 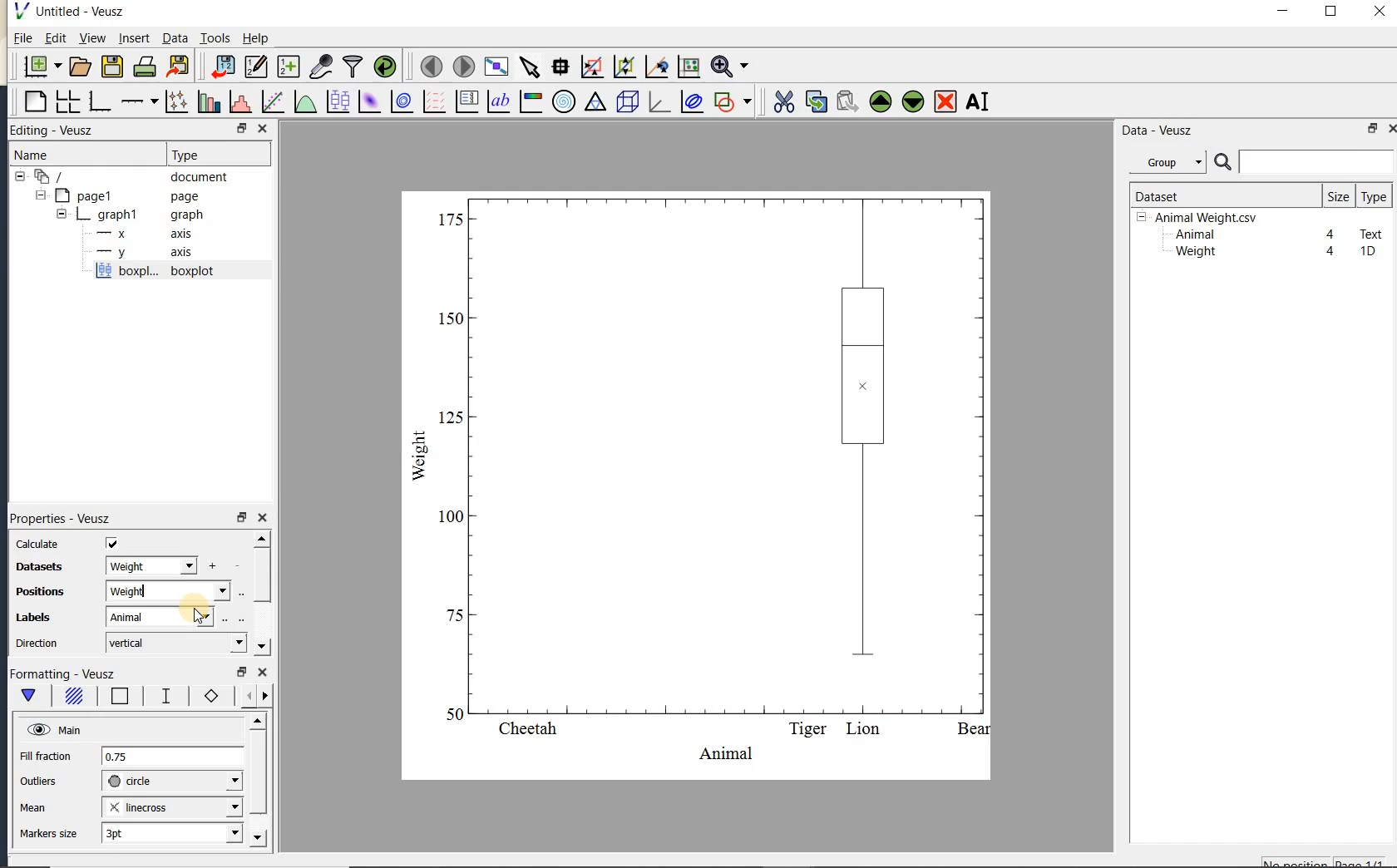 I want to click on plot a vector field, so click(x=432, y=102).